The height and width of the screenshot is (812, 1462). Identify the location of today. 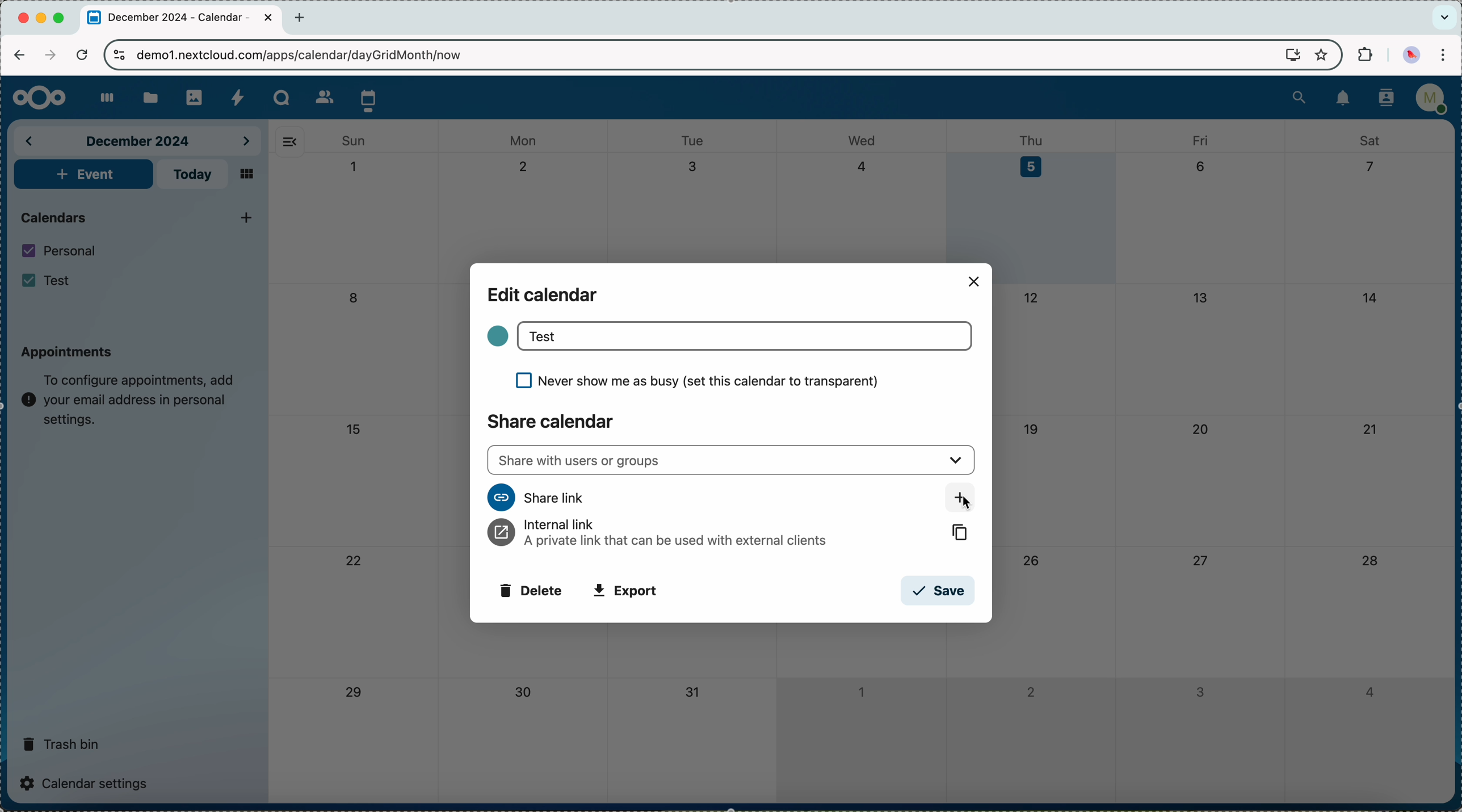
(194, 174).